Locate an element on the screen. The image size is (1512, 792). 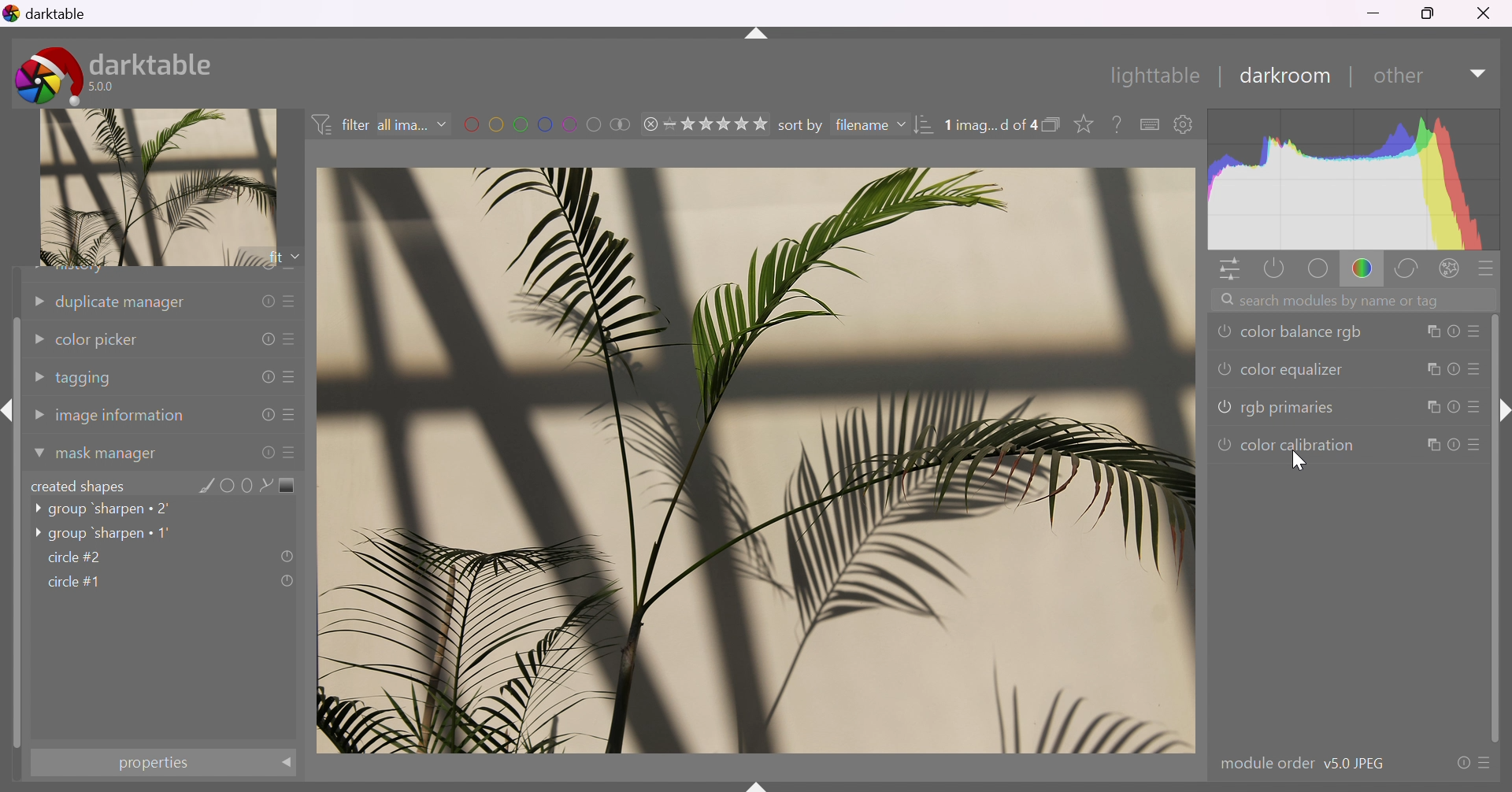
filter images by color label is located at coordinates (547, 125).